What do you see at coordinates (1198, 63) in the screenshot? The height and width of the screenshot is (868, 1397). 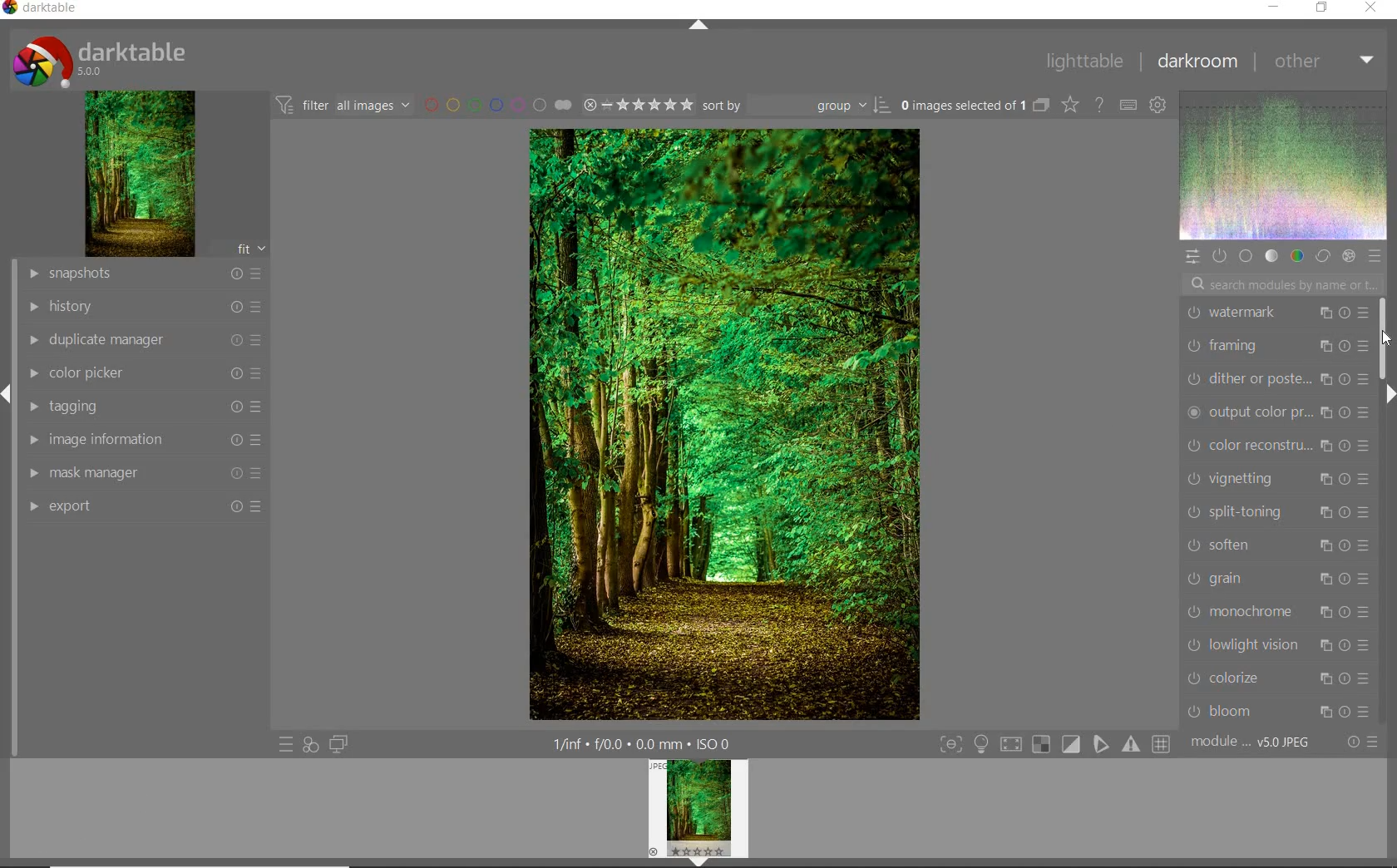 I see `DARKROOM` at bounding box center [1198, 63].